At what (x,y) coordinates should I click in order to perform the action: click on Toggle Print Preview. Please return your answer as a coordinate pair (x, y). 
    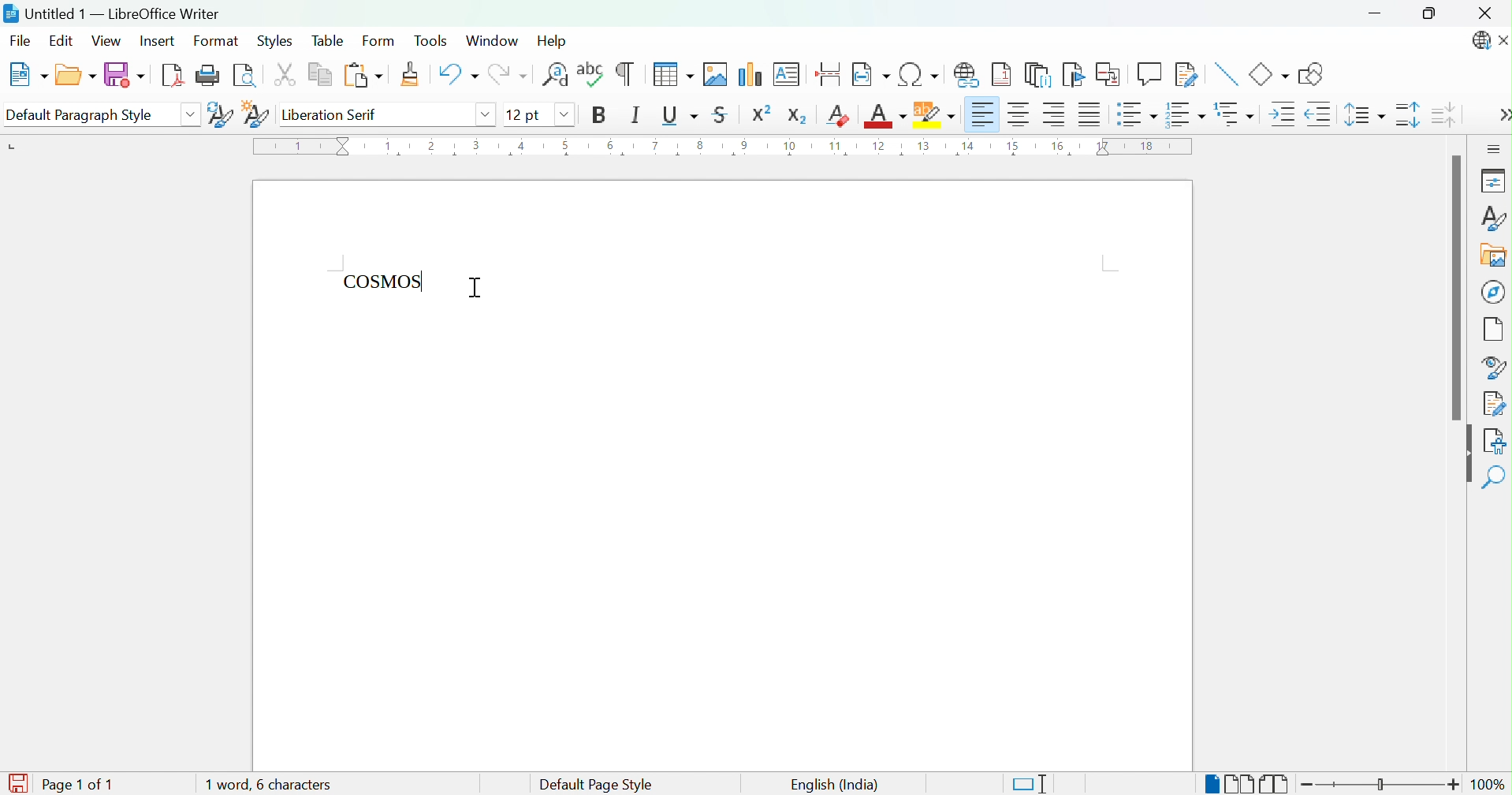
    Looking at the image, I should click on (248, 76).